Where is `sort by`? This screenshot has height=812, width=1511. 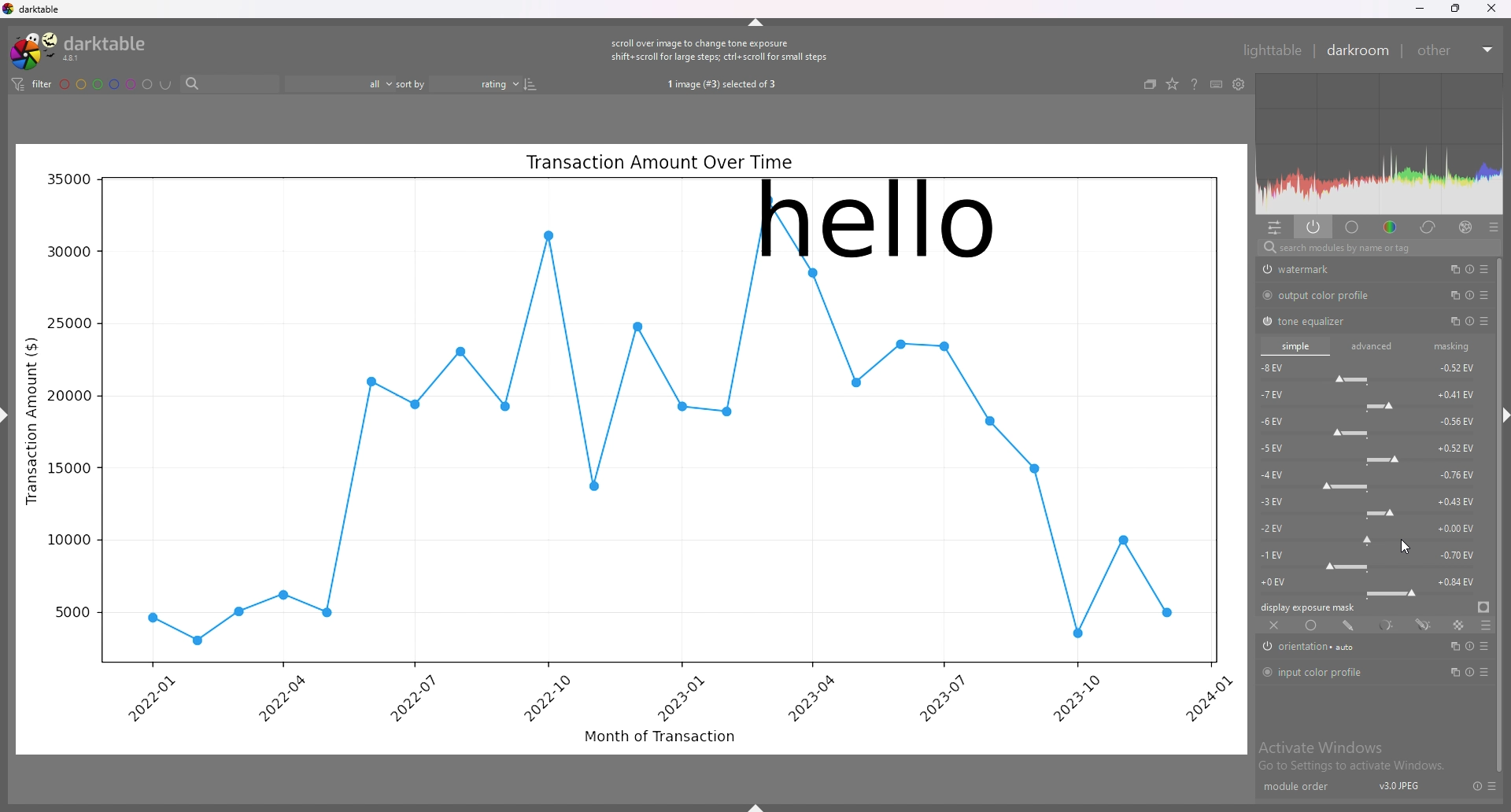 sort by is located at coordinates (412, 84).